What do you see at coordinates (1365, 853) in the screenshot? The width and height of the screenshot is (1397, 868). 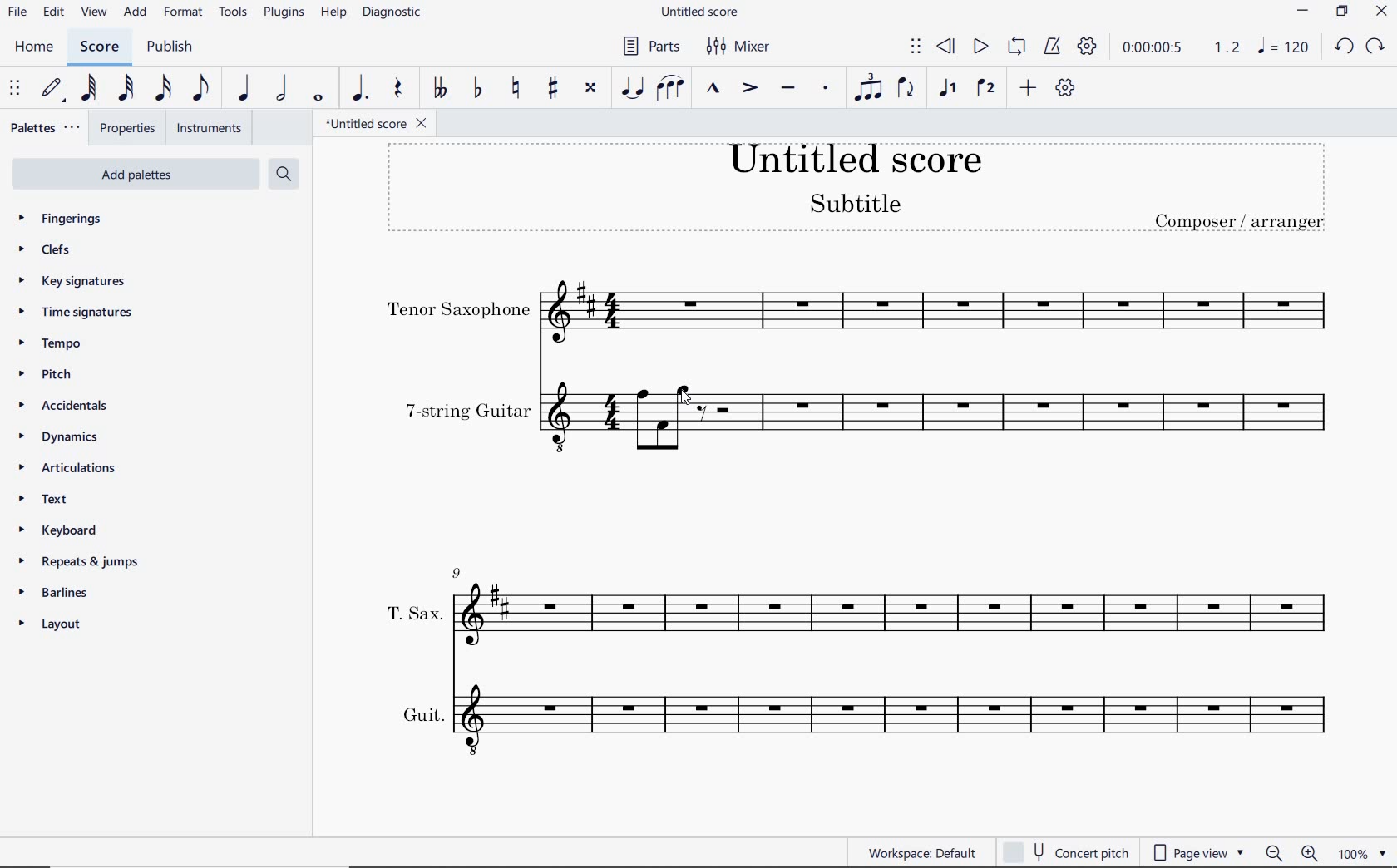 I see `ZOOM FACTOR` at bounding box center [1365, 853].